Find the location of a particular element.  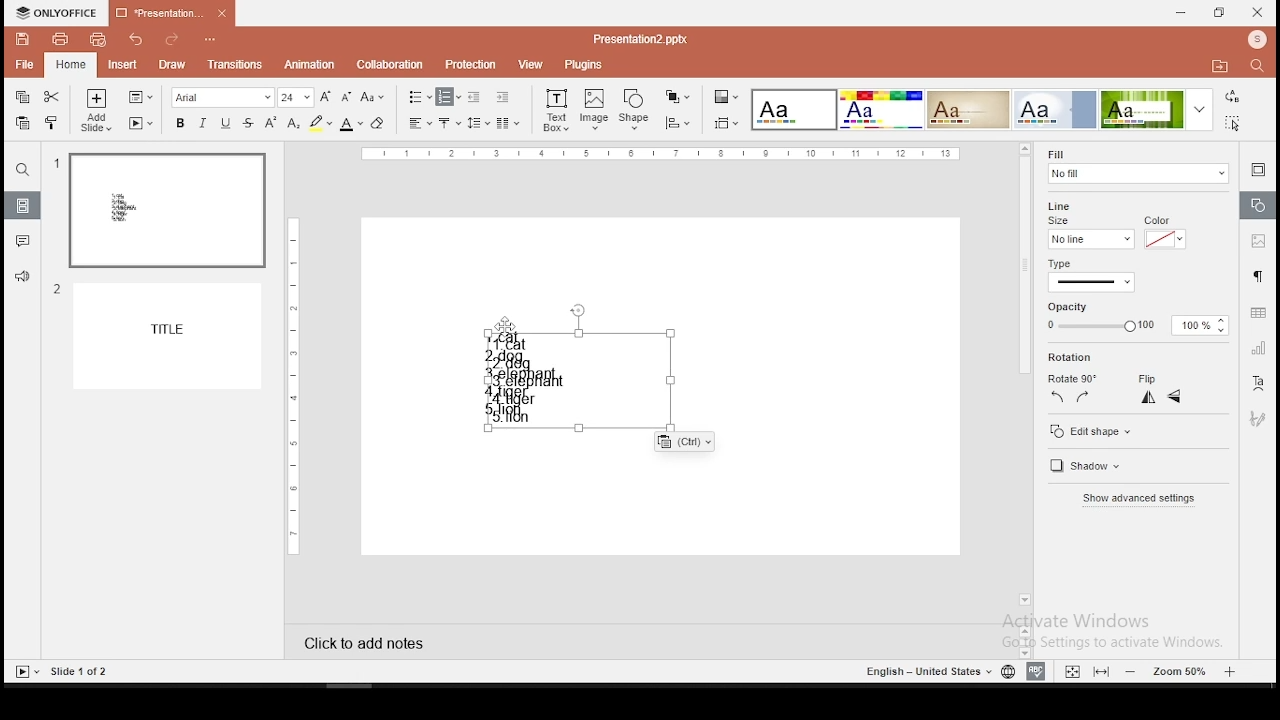

horizontal align is located at coordinates (419, 124).